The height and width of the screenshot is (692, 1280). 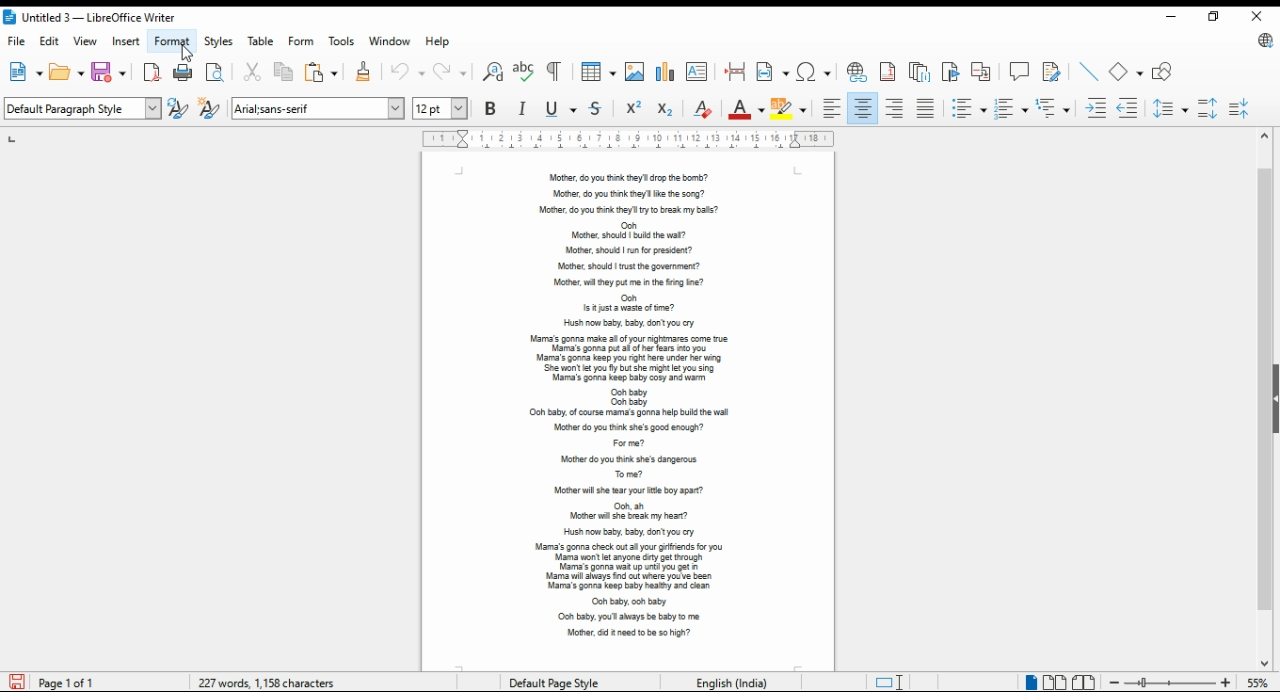 What do you see at coordinates (599, 72) in the screenshot?
I see `insert tables` at bounding box center [599, 72].